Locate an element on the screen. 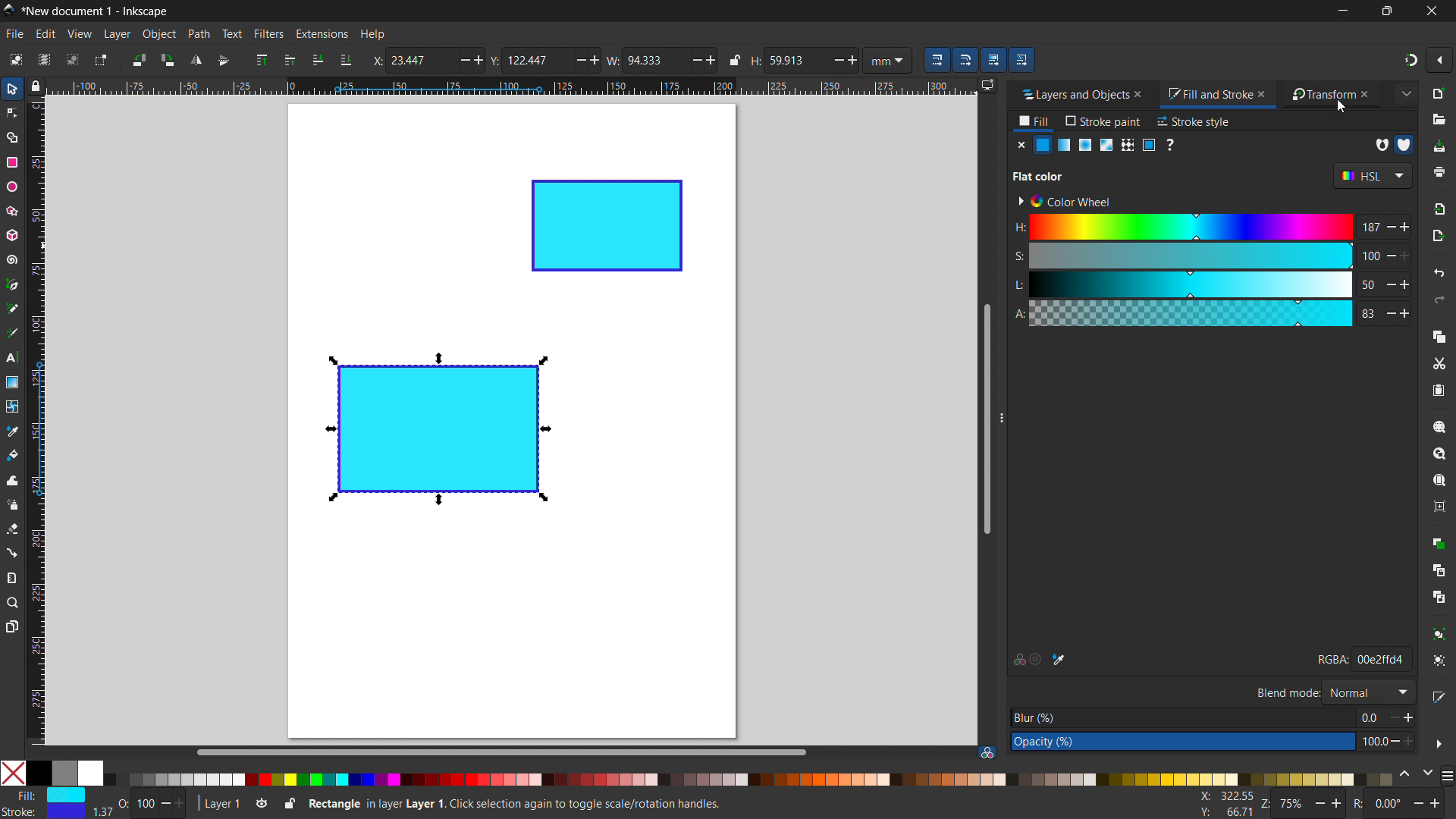 This screenshot has height=819, width=1456. linear gradient is located at coordinates (1065, 145).